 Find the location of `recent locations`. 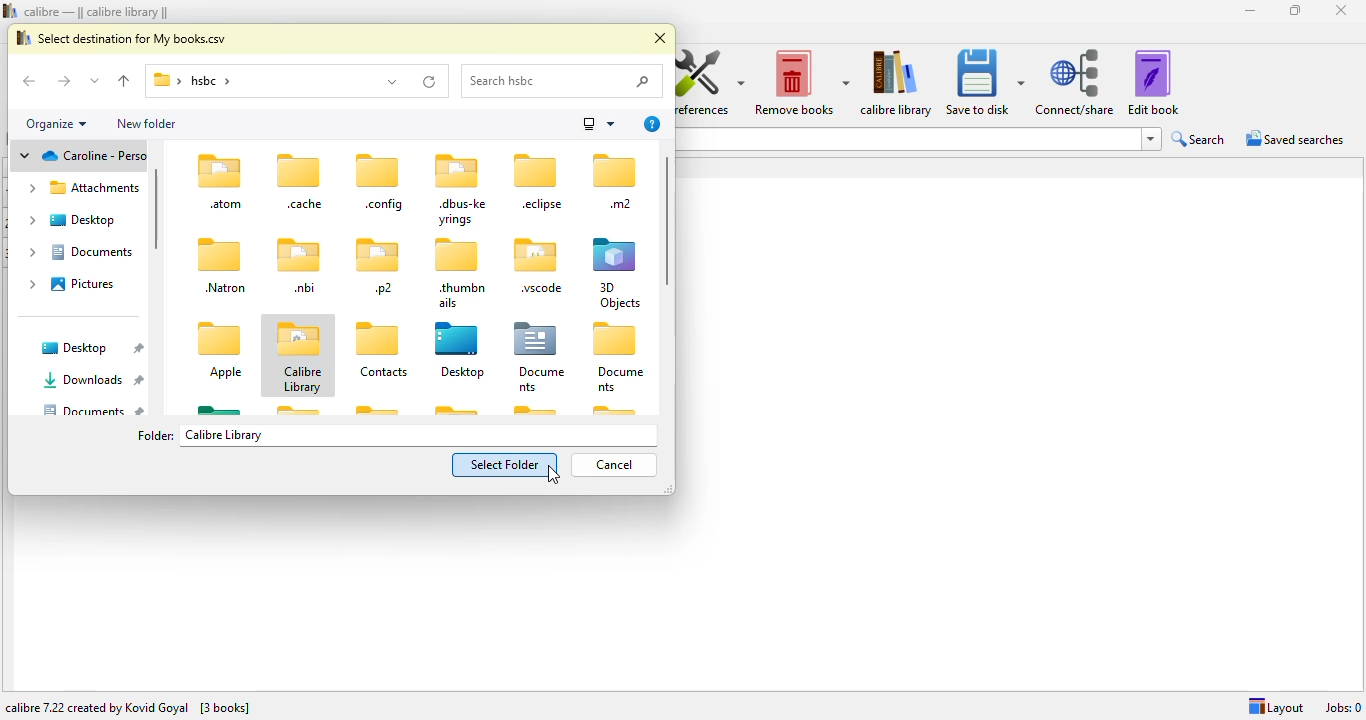

recent locations is located at coordinates (95, 80).